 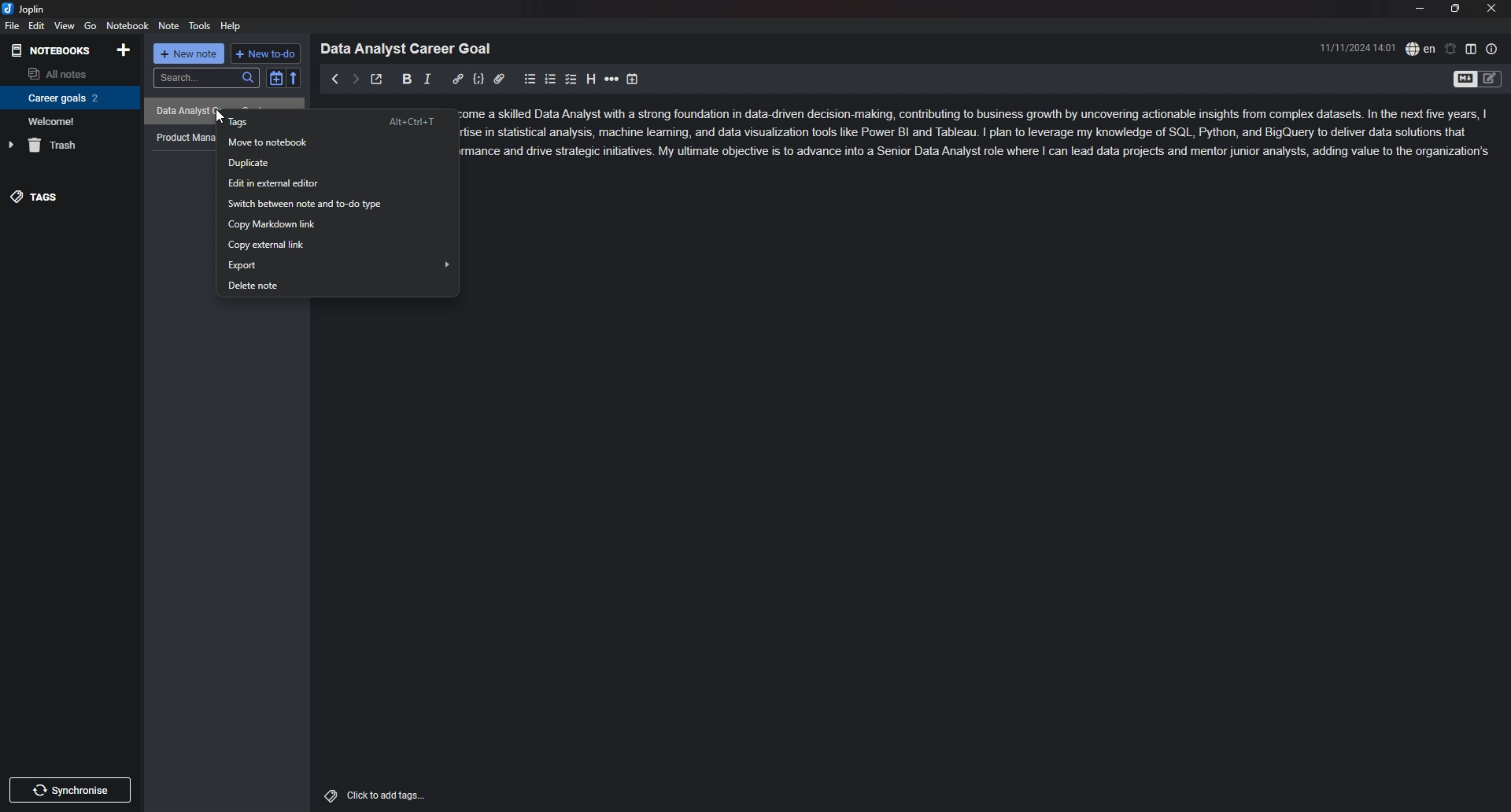 What do you see at coordinates (412, 48) in the screenshot?
I see `Data Analyst Career Goal` at bounding box center [412, 48].